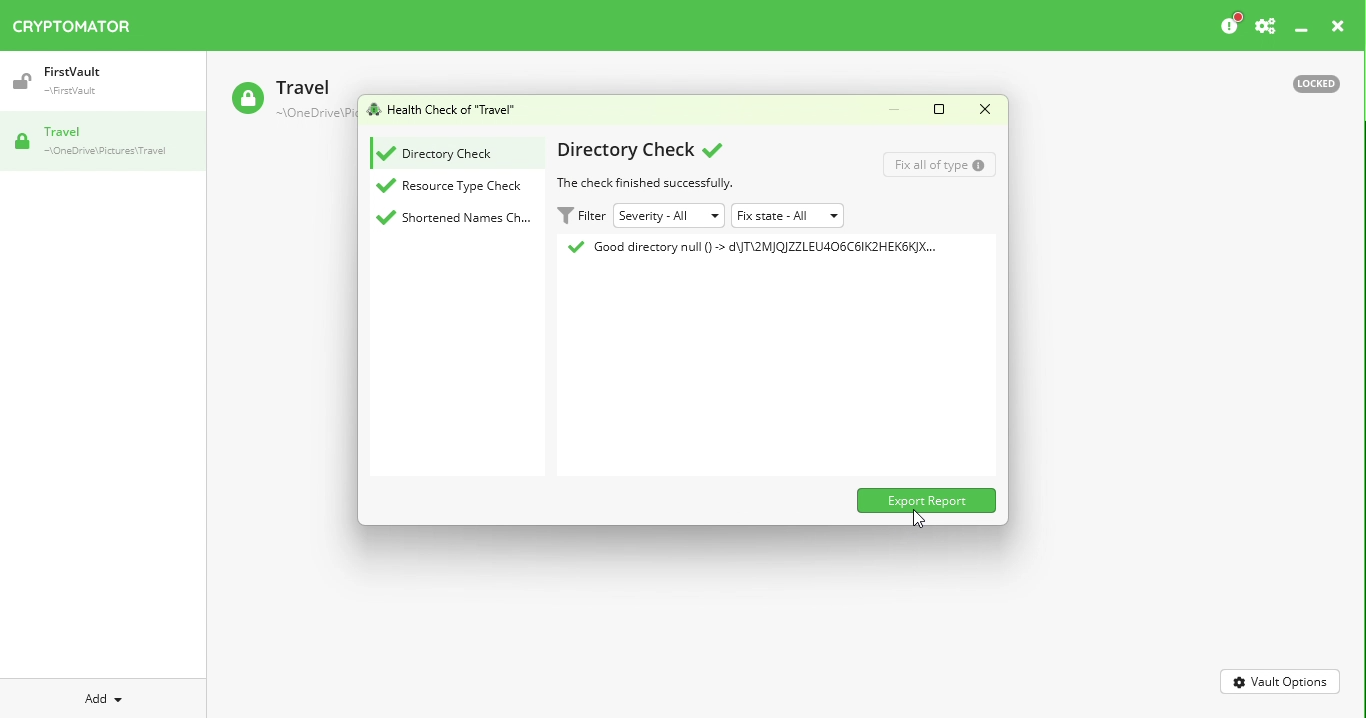 The width and height of the screenshot is (1366, 718). Describe the element at coordinates (1344, 25) in the screenshot. I see `close` at that location.